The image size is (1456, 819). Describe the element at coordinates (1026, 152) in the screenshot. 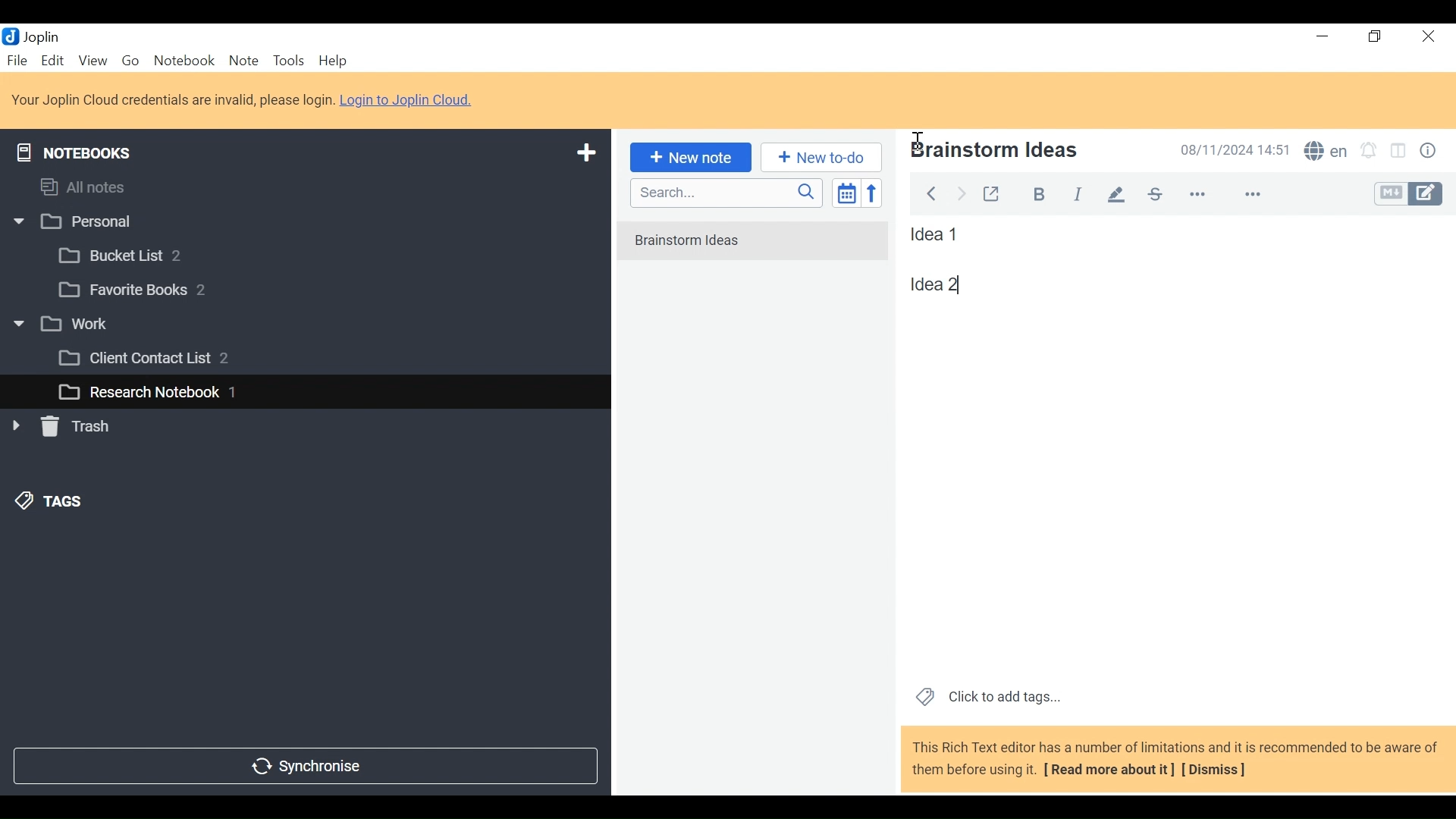

I see `Note Name` at that location.